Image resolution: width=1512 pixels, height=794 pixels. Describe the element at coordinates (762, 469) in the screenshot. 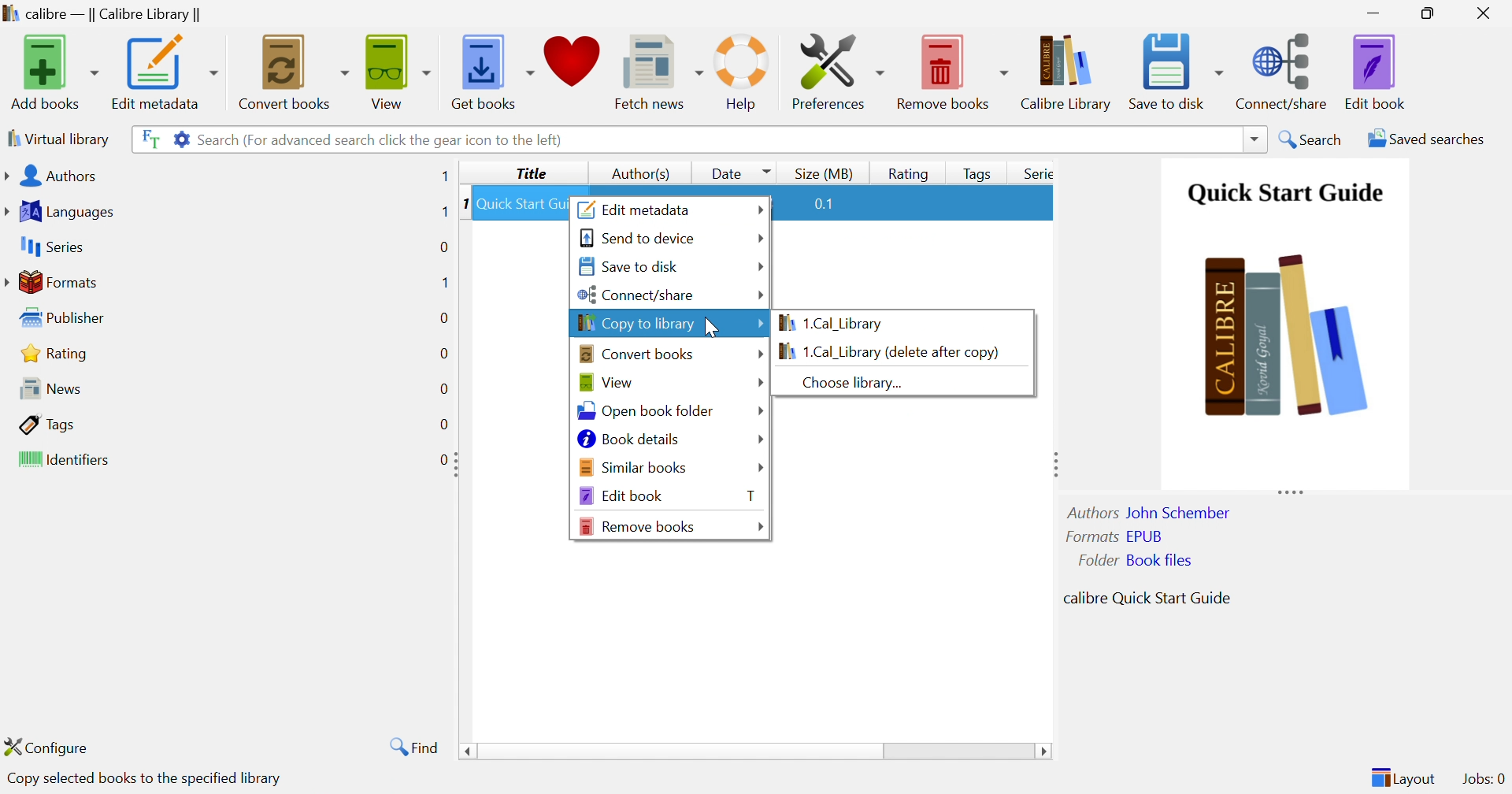

I see `Drop Down` at that location.